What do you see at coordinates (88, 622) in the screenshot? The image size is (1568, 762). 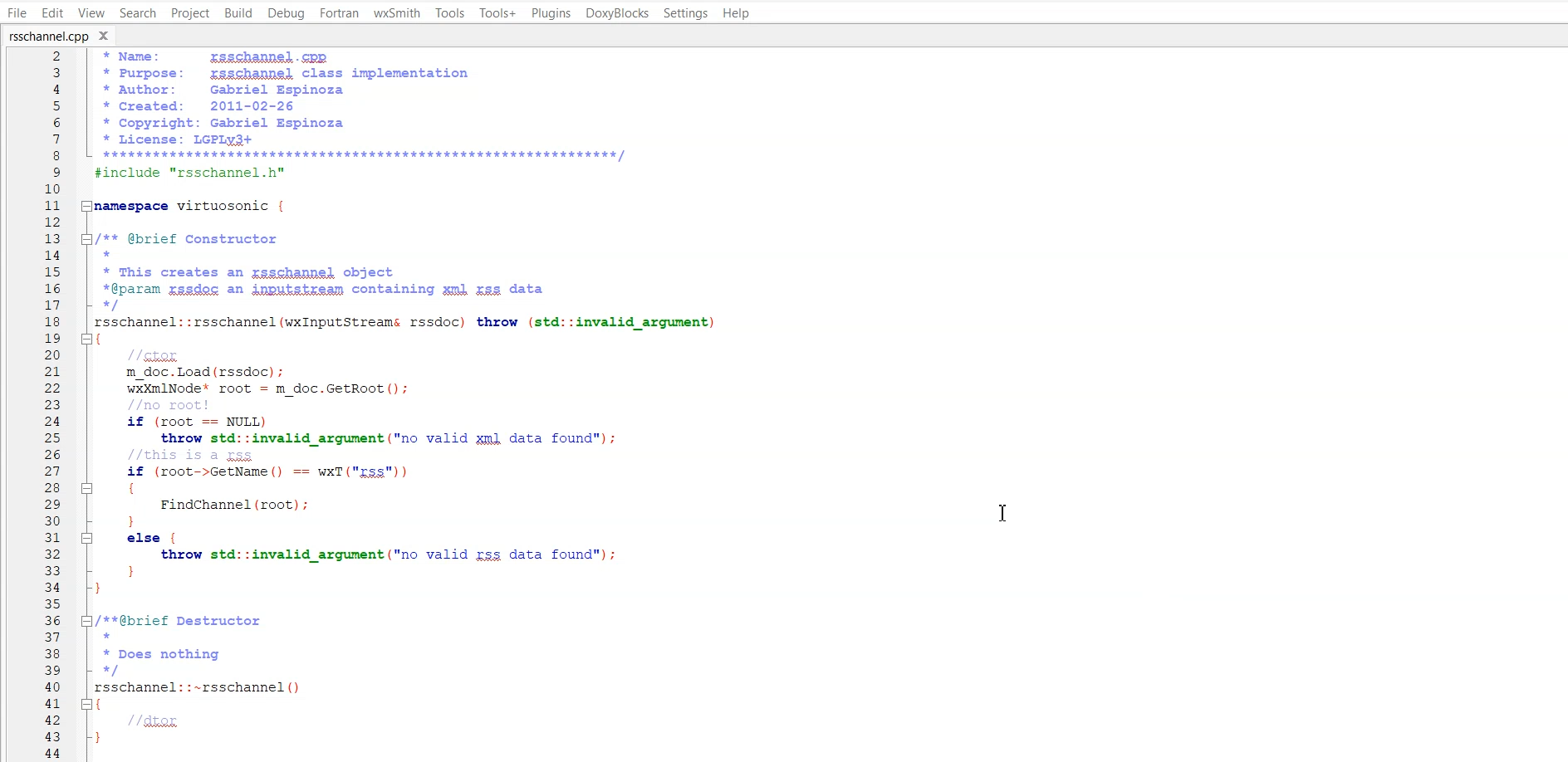 I see `Collapse` at bounding box center [88, 622].